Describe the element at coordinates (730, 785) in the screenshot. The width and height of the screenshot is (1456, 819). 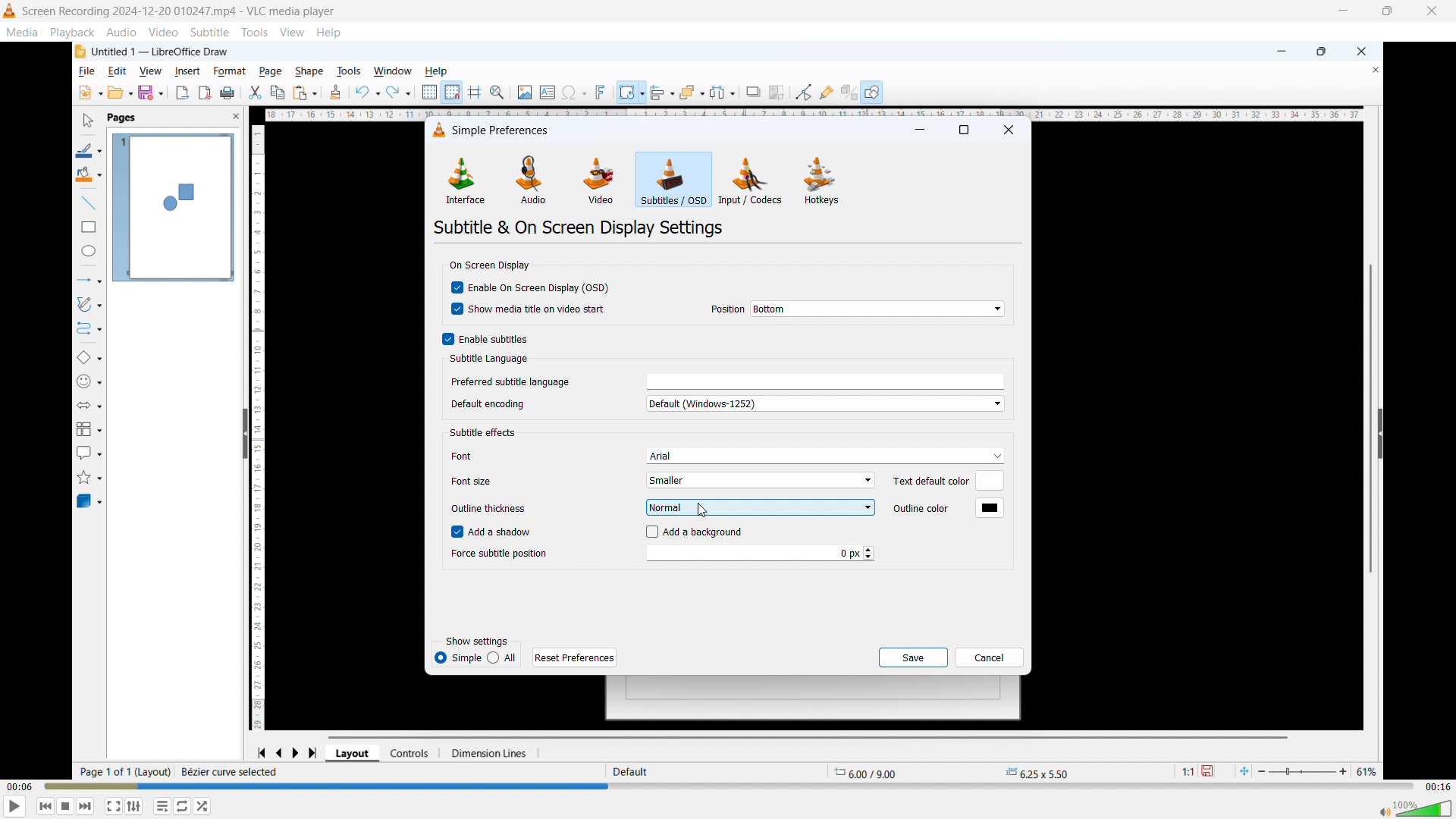
I see `Time bar ` at that location.